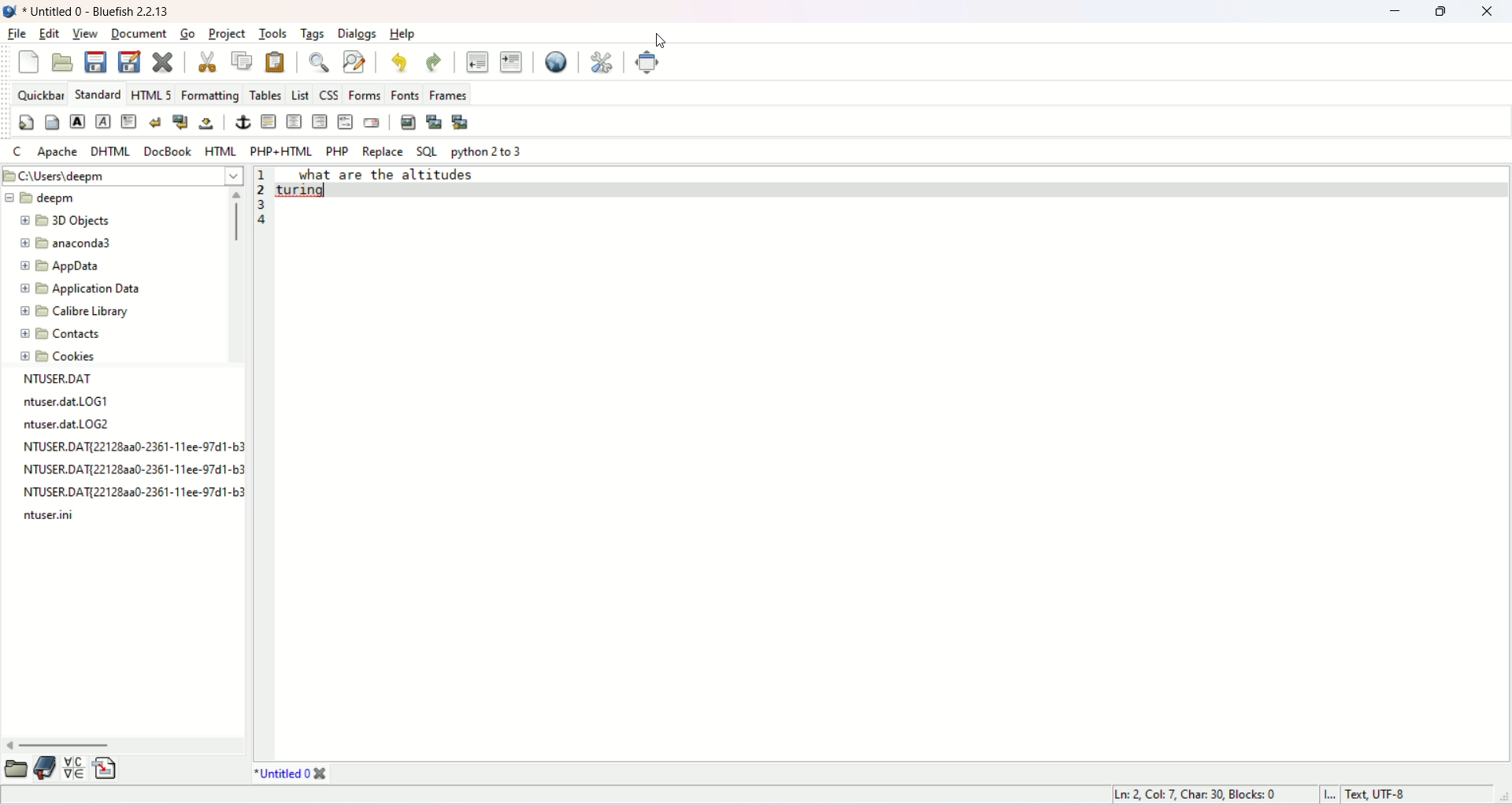  I want to click on insert special character, so click(74, 766).